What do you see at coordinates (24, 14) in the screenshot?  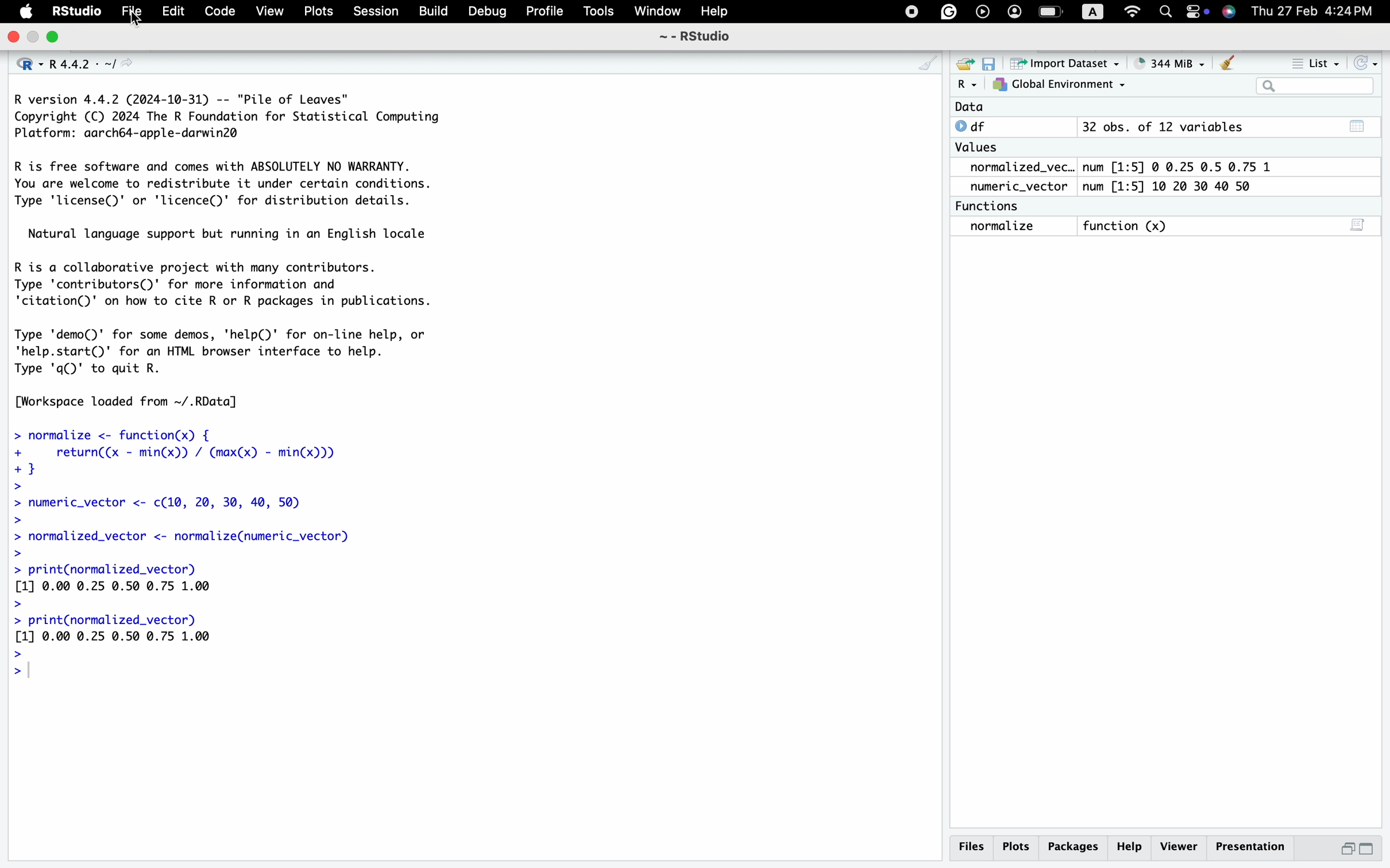 I see `Apple icon` at bounding box center [24, 14].